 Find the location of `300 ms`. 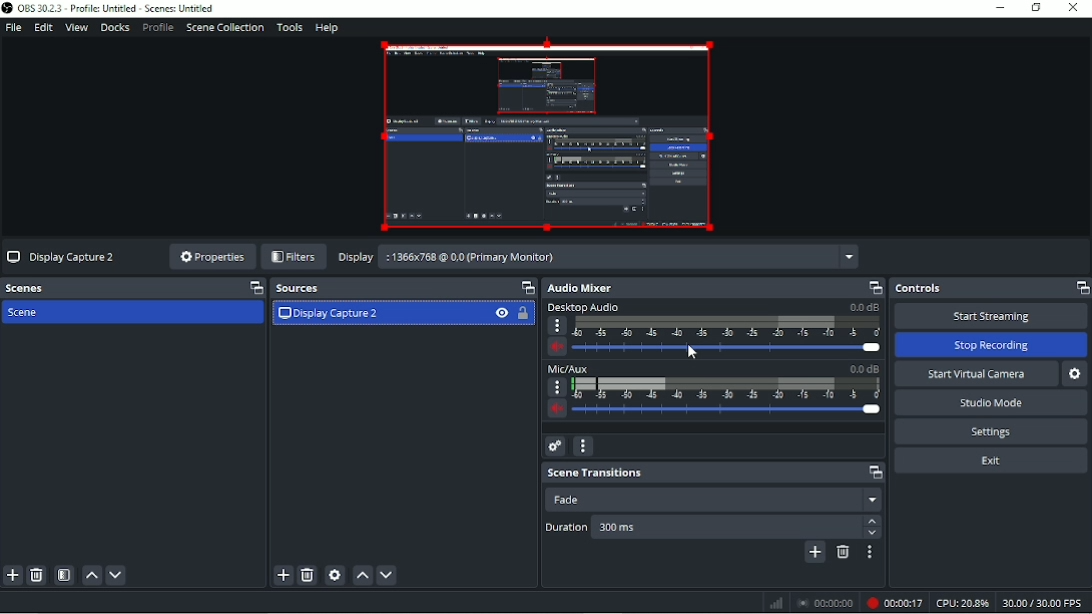

300 ms is located at coordinates (724, 528).